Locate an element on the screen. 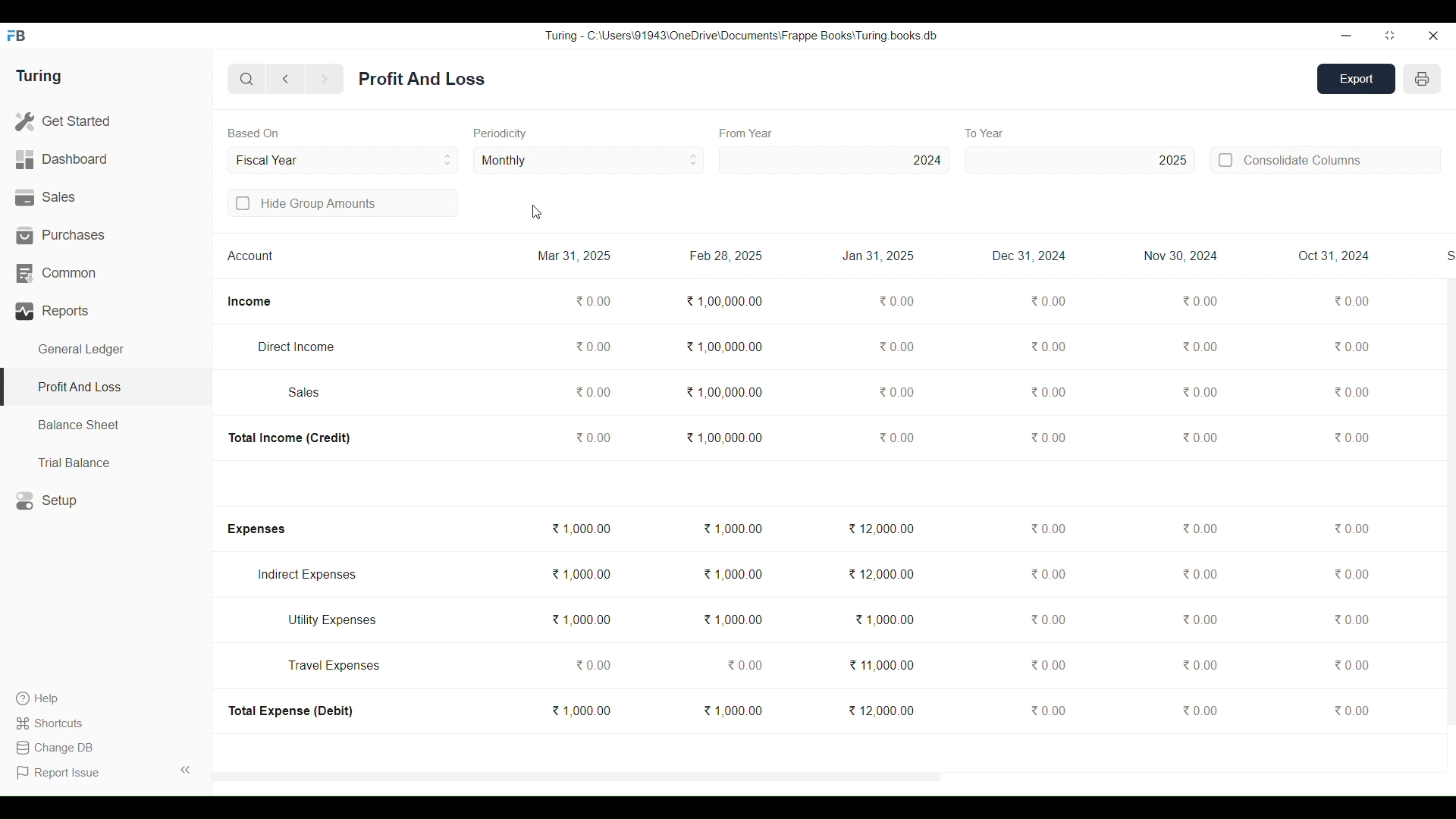 Image resolution: width=1456 pixels, height=819 pixels. 11,000.00 is located at coordinates (882, 665).